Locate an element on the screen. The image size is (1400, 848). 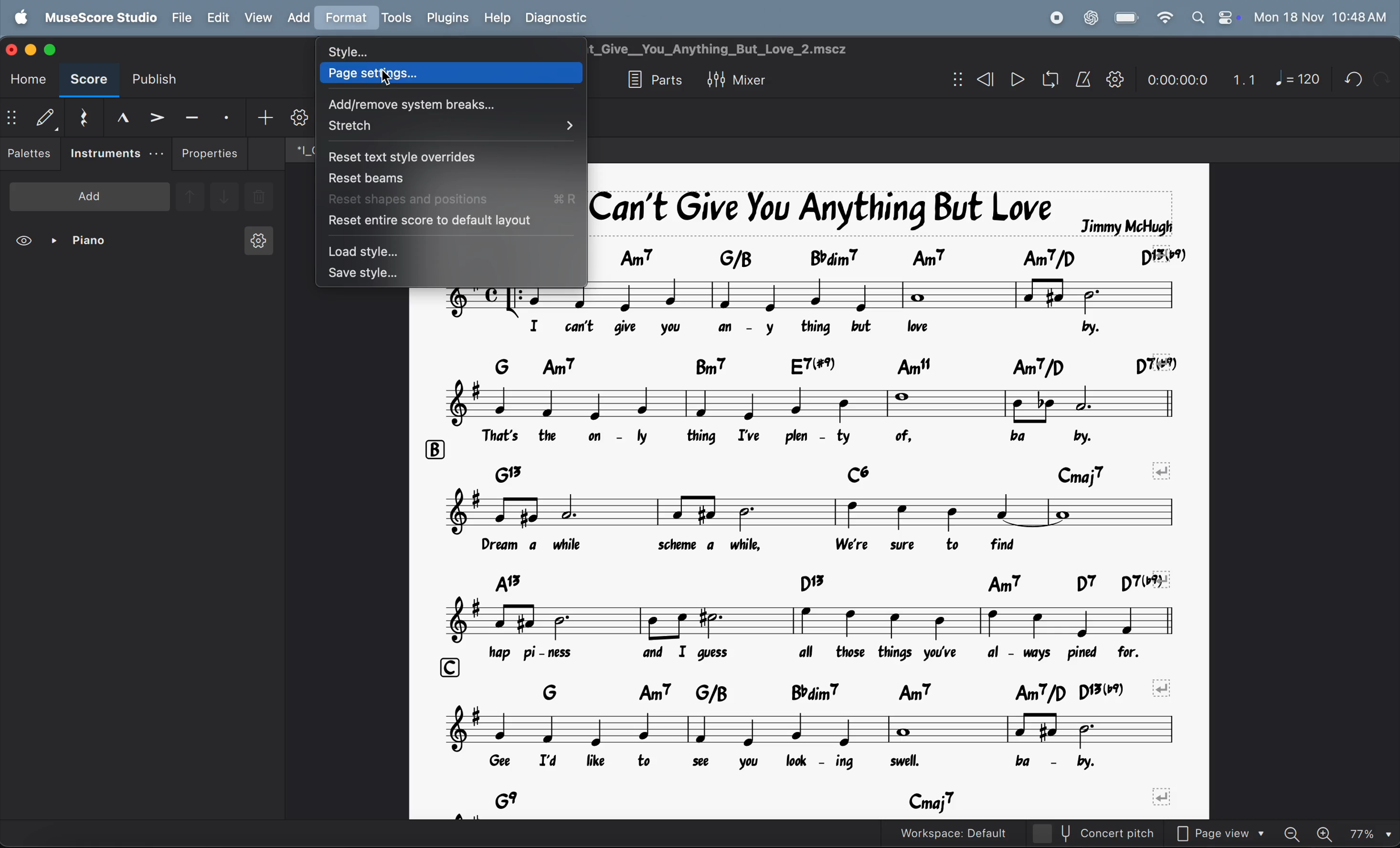
notes is located at coordinates (813, 730).